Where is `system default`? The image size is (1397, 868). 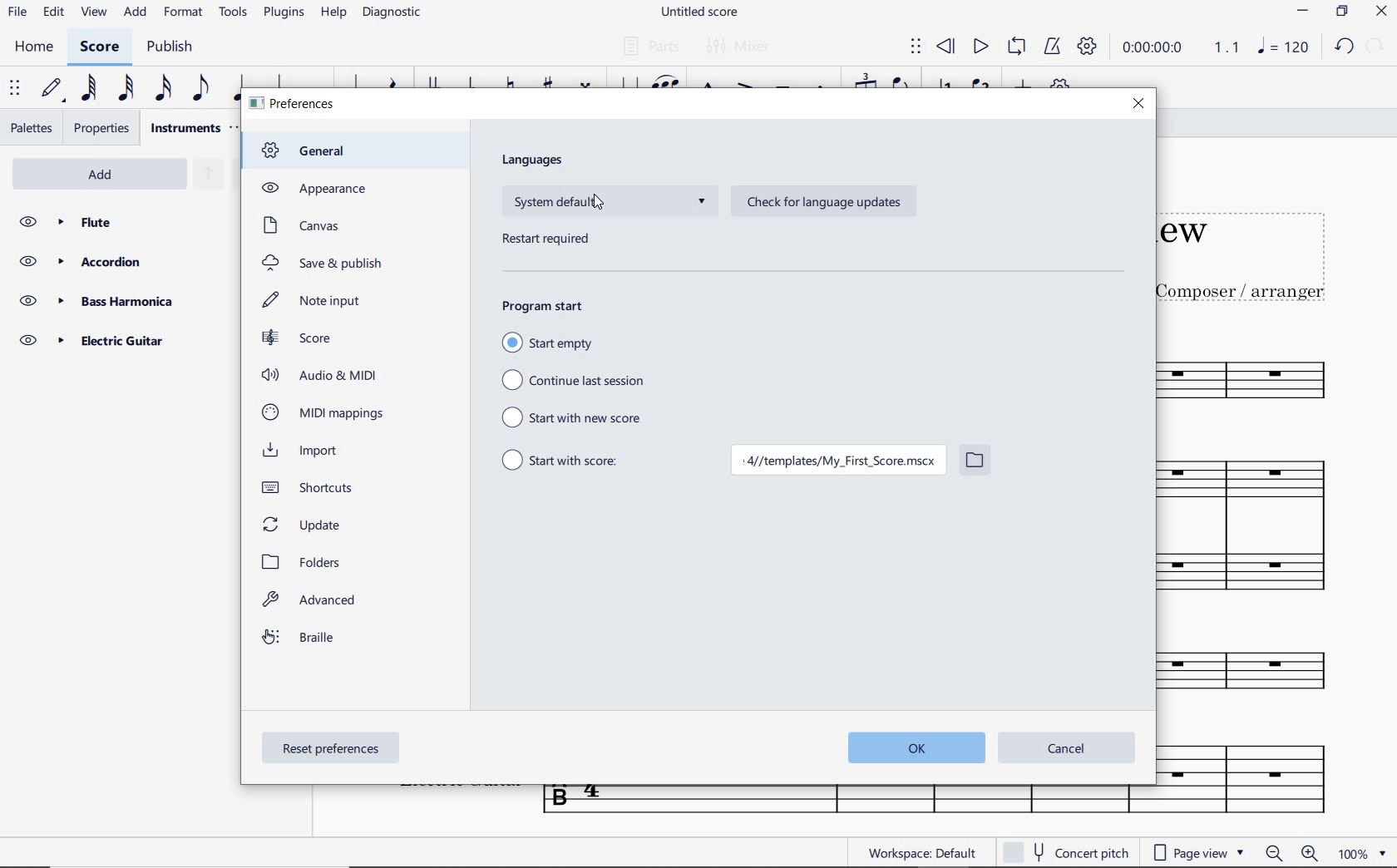
system default is located at coordinates (609, 201).